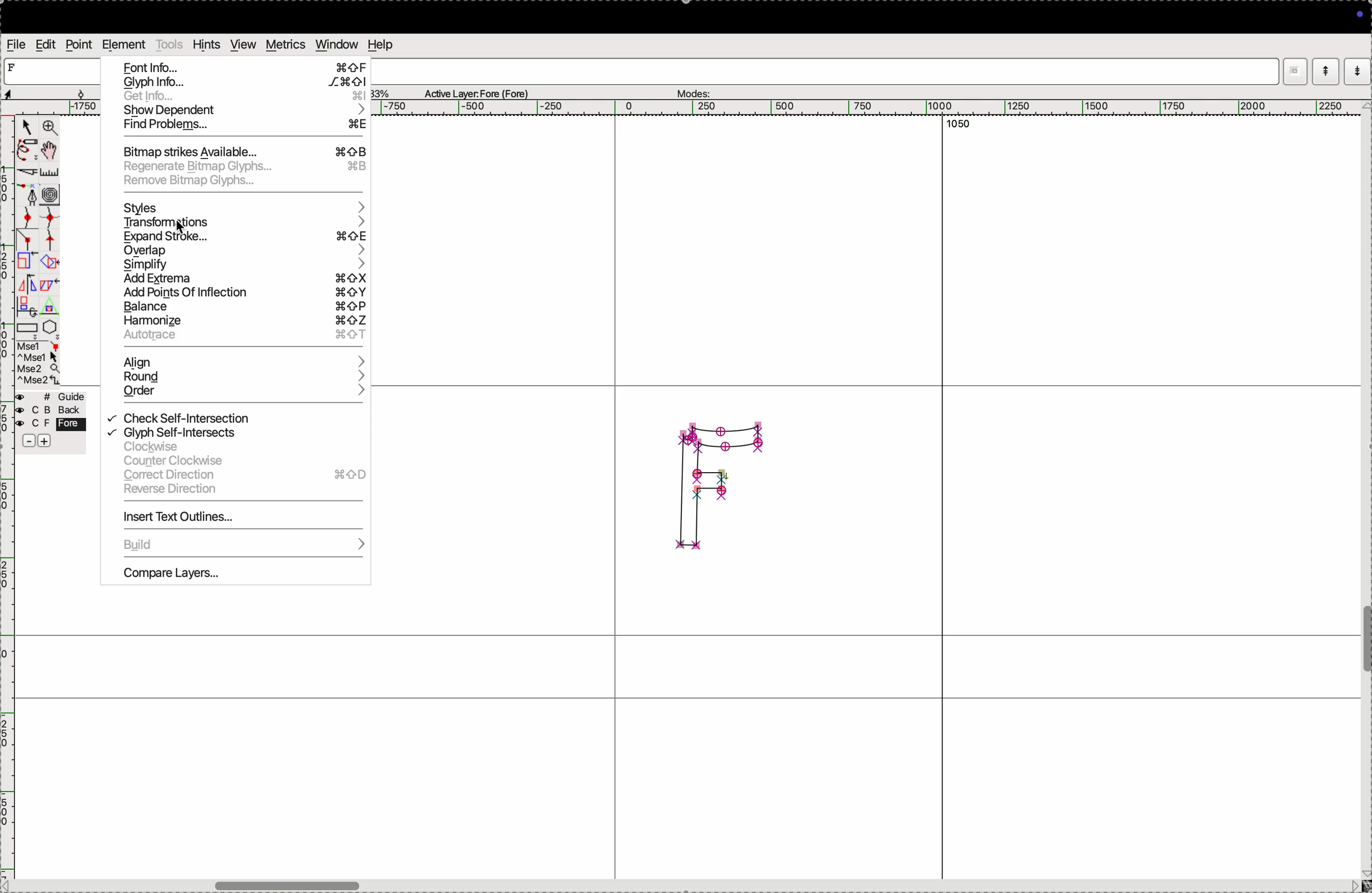 Image resolution: width=1372 pixels, height=893 pixels. What do you see at coordinates (244, 476) in the screenshot?
I see `correct direction` at bounding box center [244, 476].